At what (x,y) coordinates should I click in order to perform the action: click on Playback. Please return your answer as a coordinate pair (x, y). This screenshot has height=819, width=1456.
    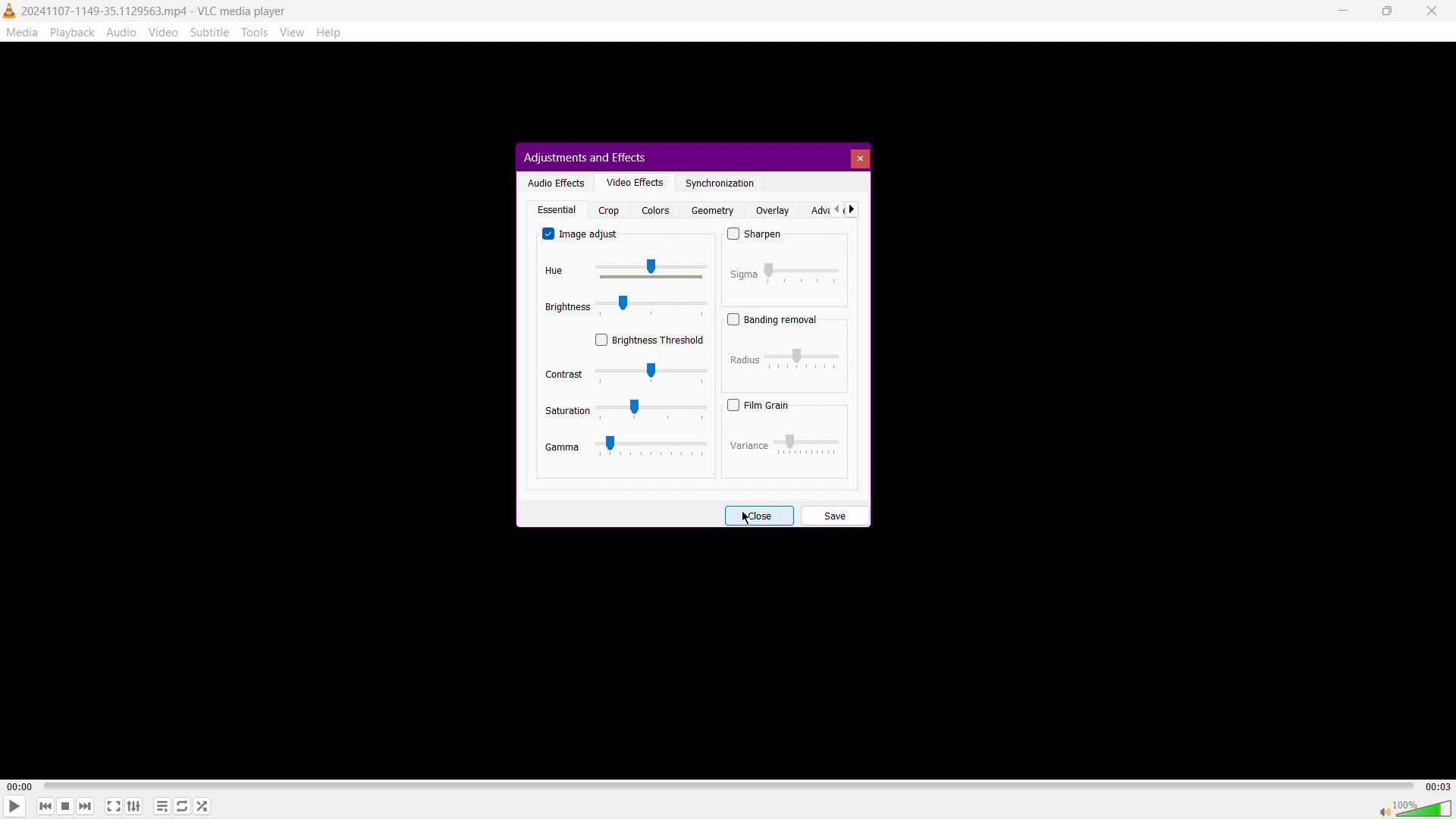
    Looking at the image, I should click on (71, 32).